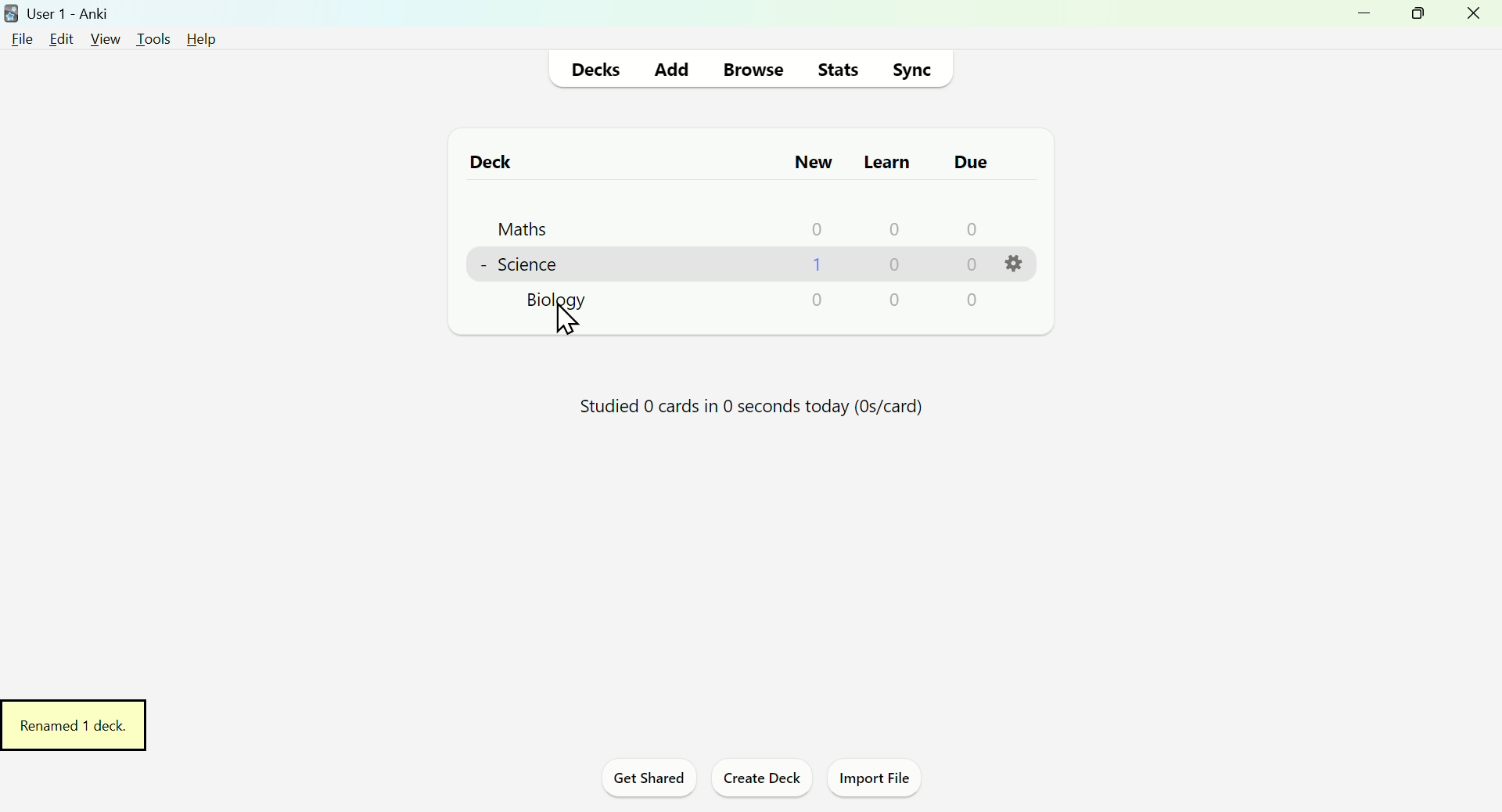 The width and height of the screenshot is (1502, 812). What do you see at coordinates (104, 38) in the screenshot?
I see `View` at bounding box center [104, 38].